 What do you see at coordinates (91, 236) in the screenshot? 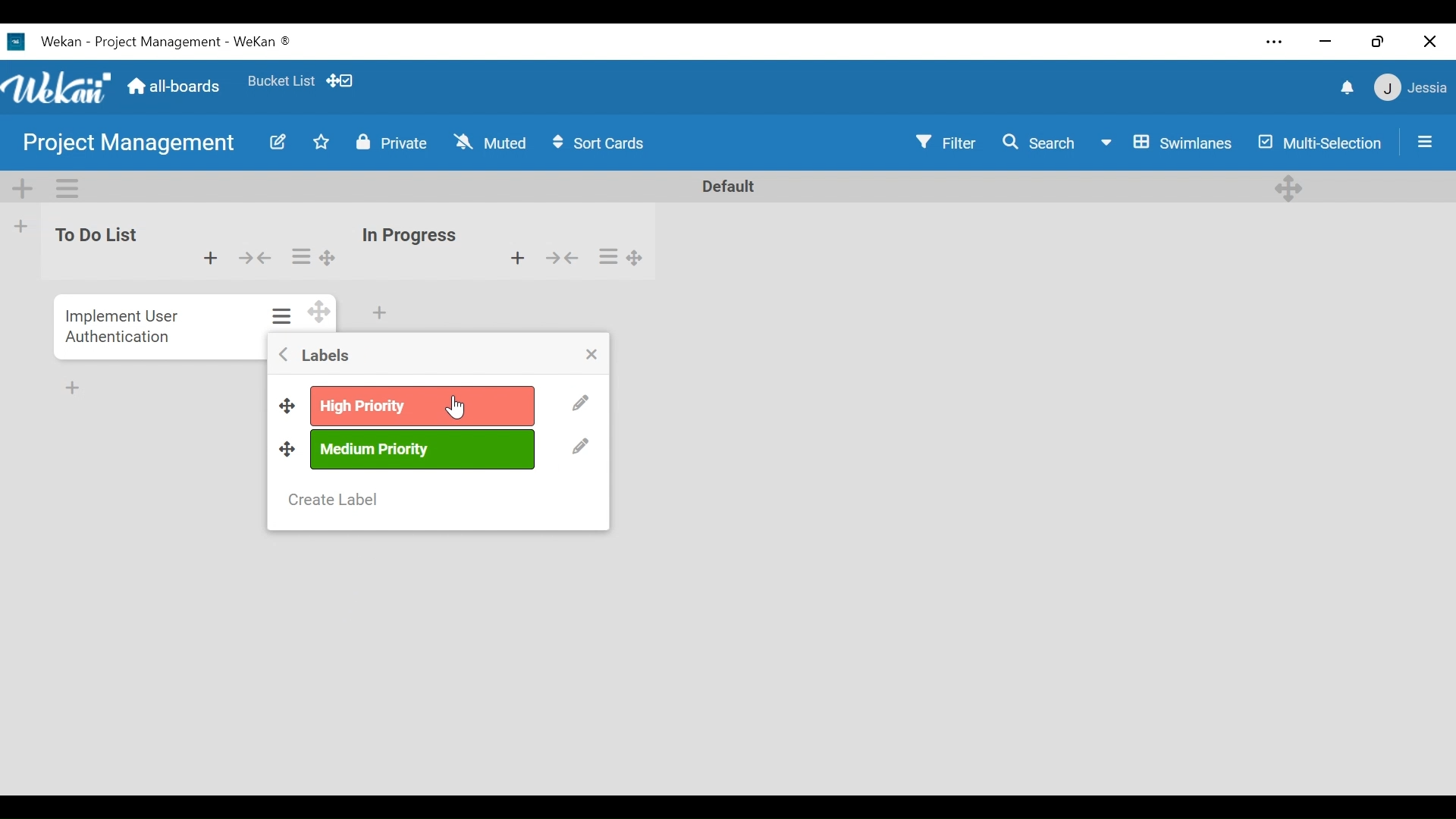
I see `To Do List` at bounding box center [91, 236].